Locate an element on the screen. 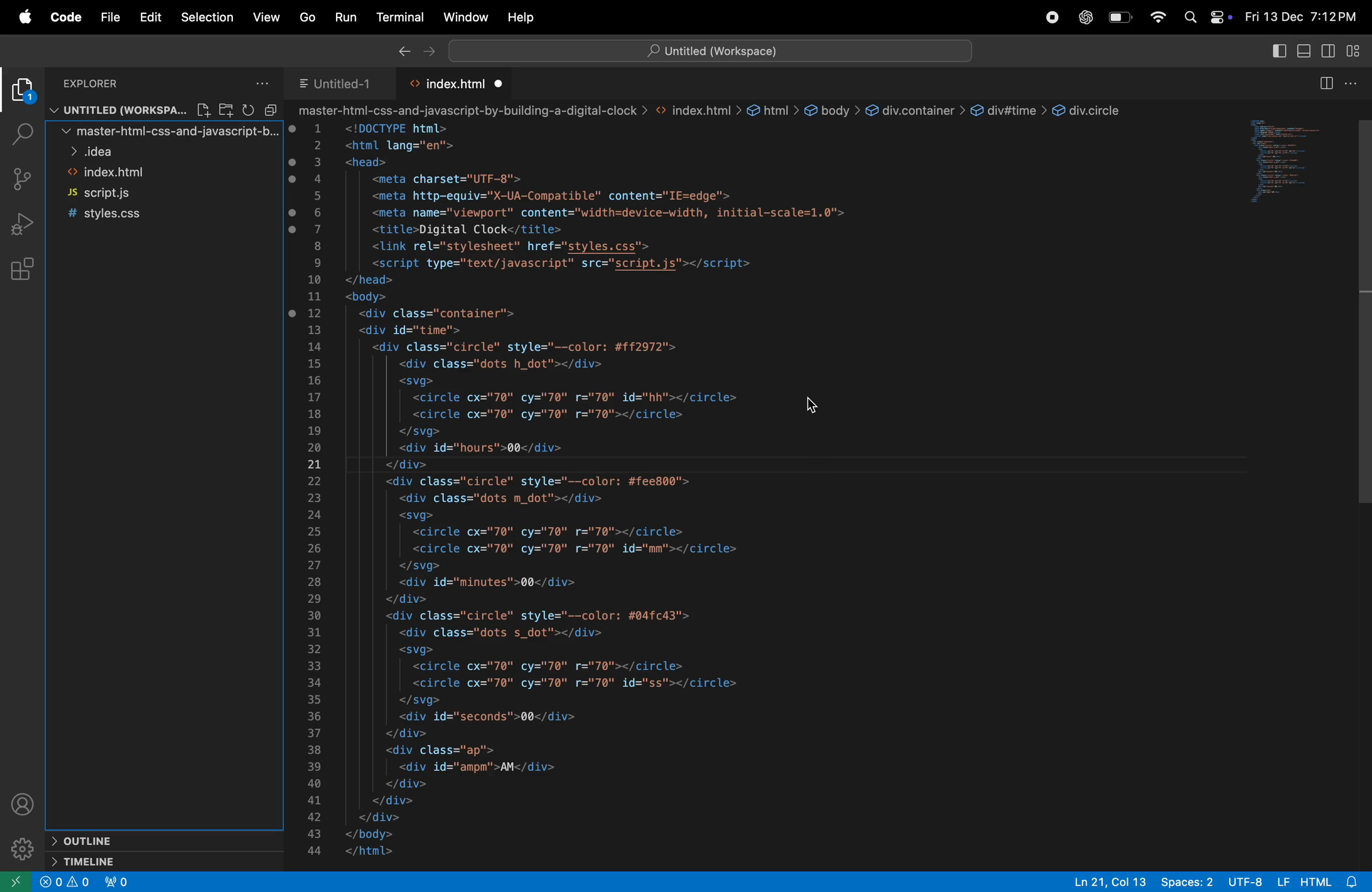 The width and height of the screenshot is (1372, 892). date and time is located at coordinates (1299, 18).